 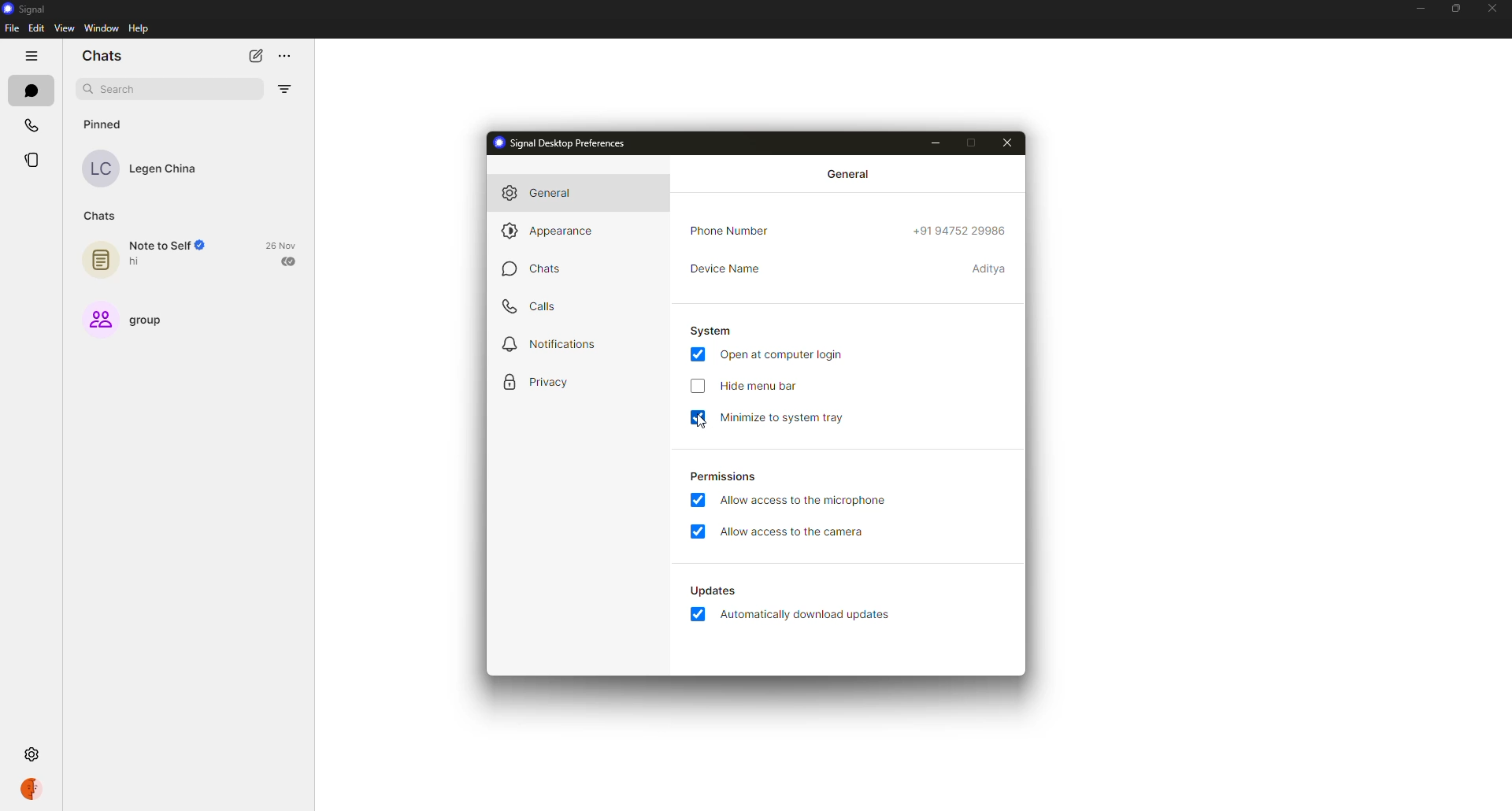 What do you see at coordinates (795, 533) in the screenshot?
I see `allow access to camera` at bounding box center [795, 533].